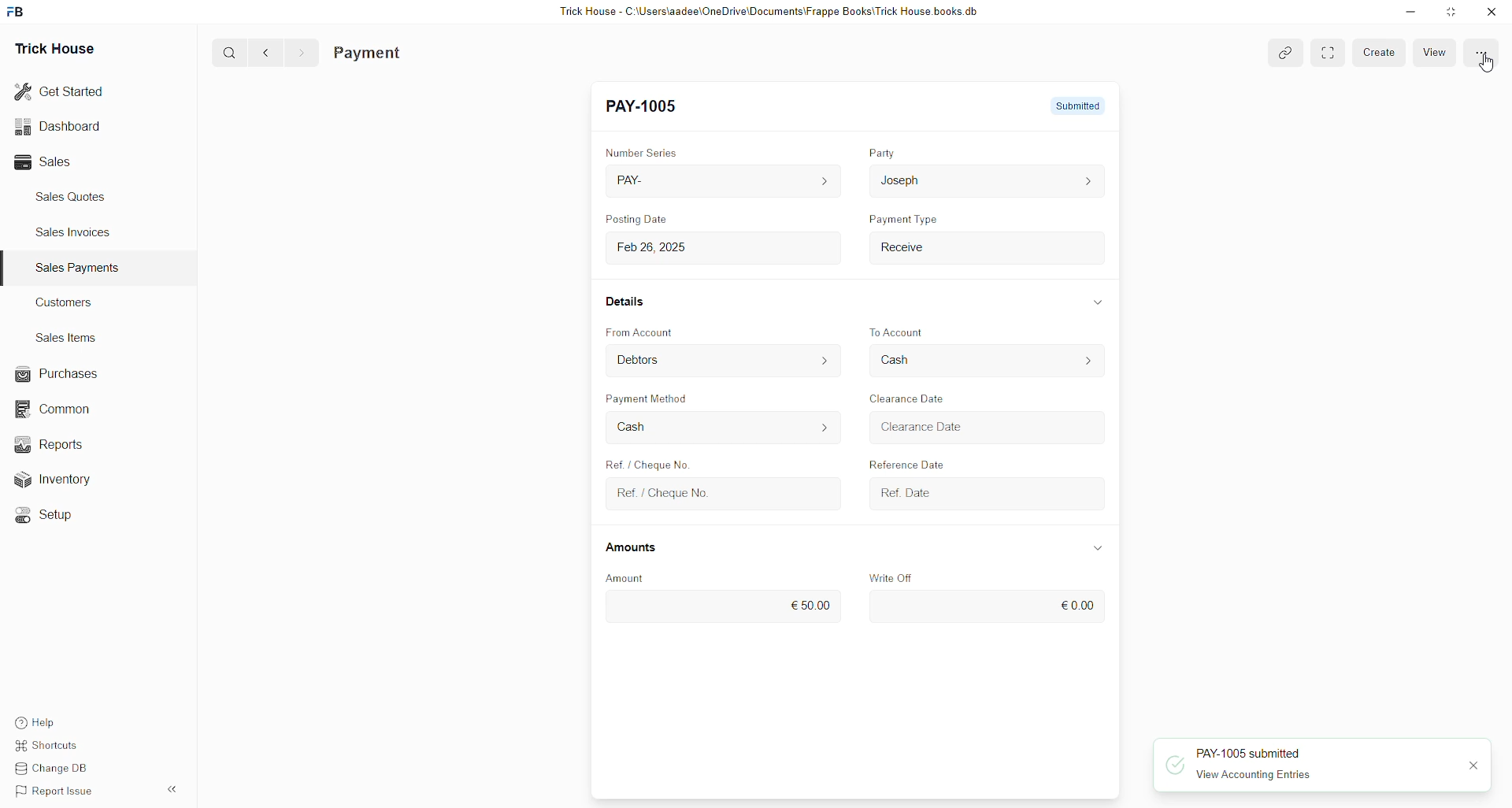 This screenshot has height=808, width=1512. What do you see at coordinates (1381, 53) in the screenshot?
I see `Create` at bounding box center [1381, 53].